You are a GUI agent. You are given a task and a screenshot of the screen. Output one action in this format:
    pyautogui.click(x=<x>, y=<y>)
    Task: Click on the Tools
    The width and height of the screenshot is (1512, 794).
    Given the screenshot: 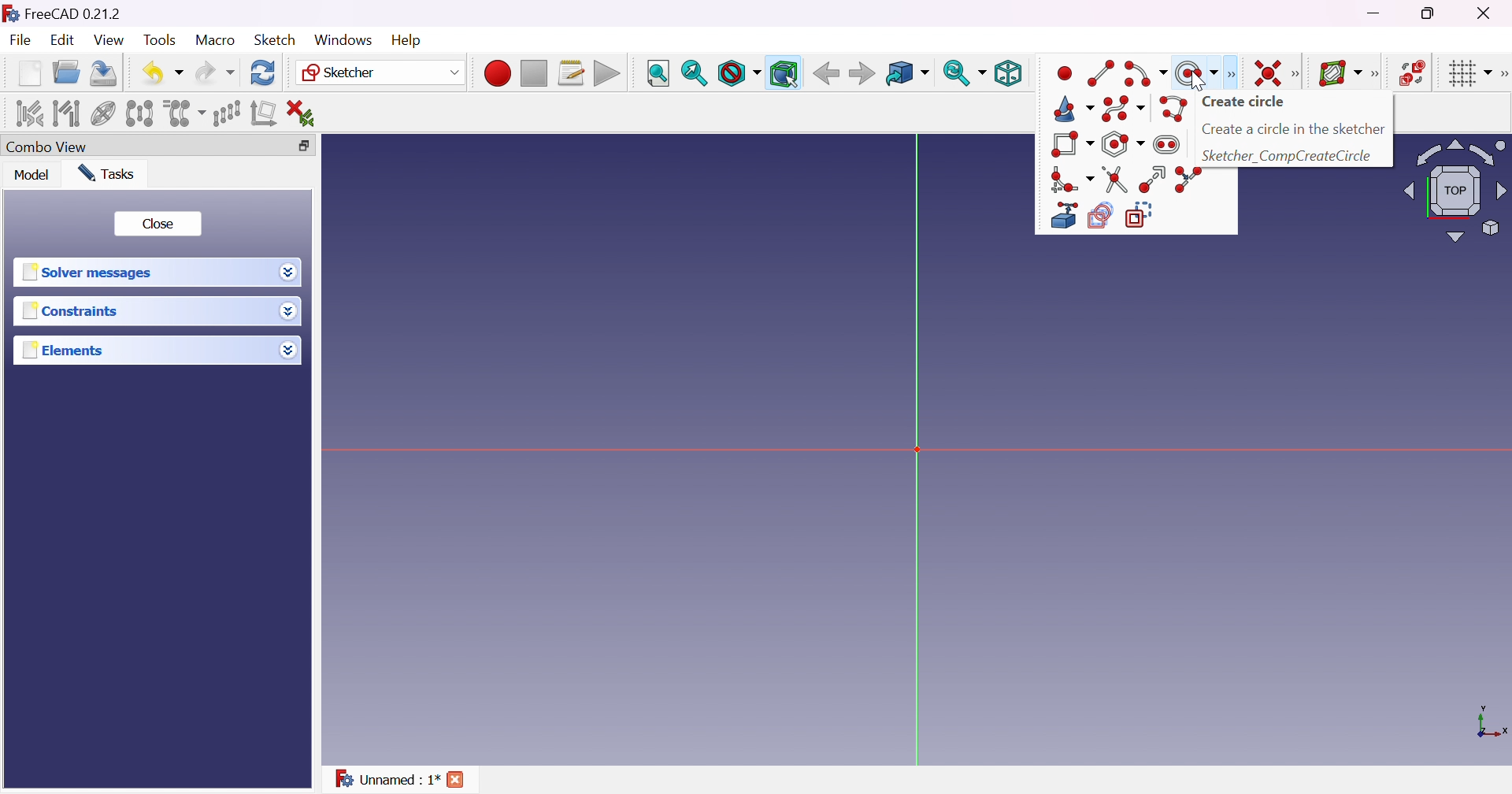 What is the action you would take?
    pyautogui.click(x=161, y=41)
    